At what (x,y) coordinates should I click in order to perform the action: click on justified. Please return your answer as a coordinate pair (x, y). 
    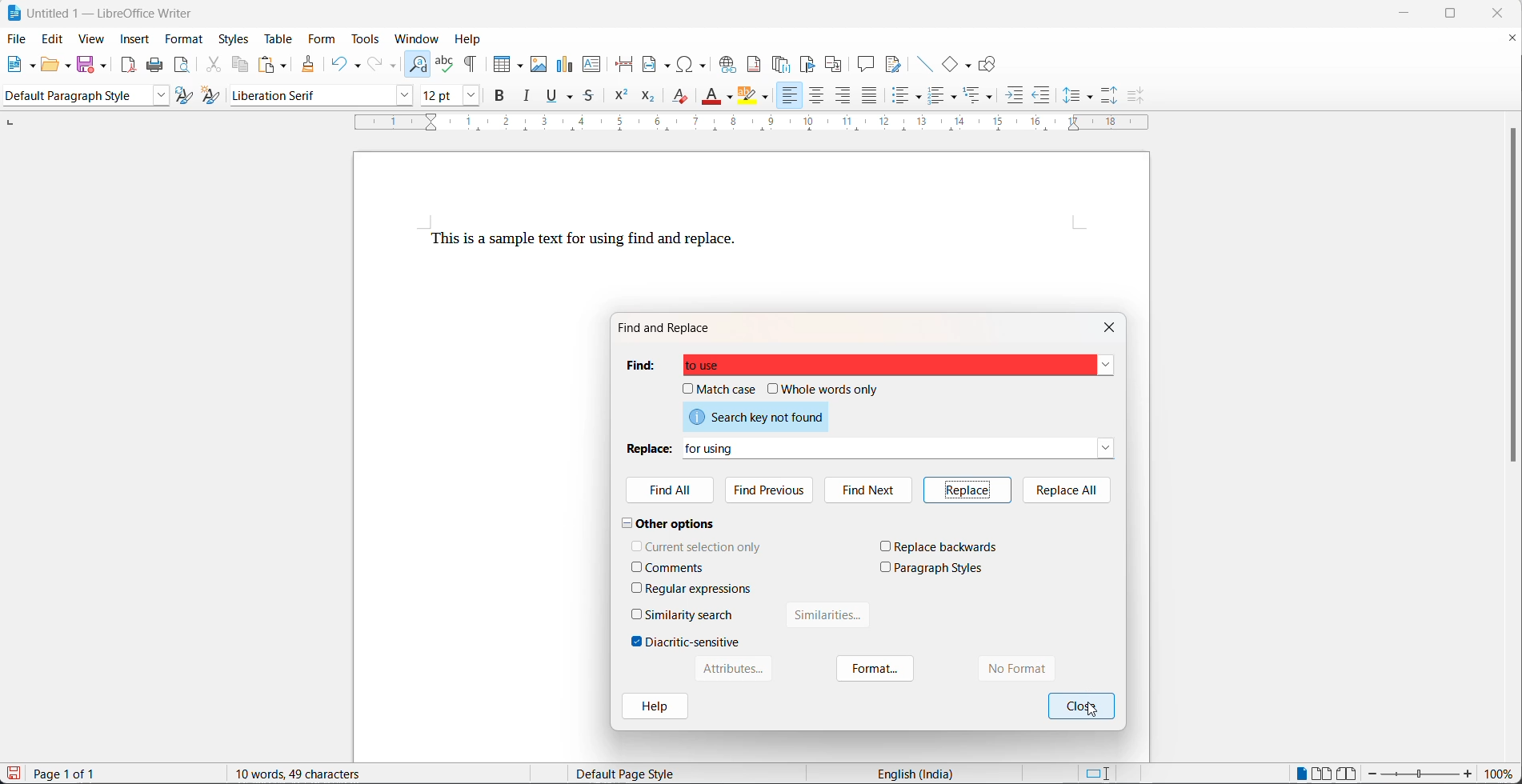
    Looking at the image, I should click on (870, 97).